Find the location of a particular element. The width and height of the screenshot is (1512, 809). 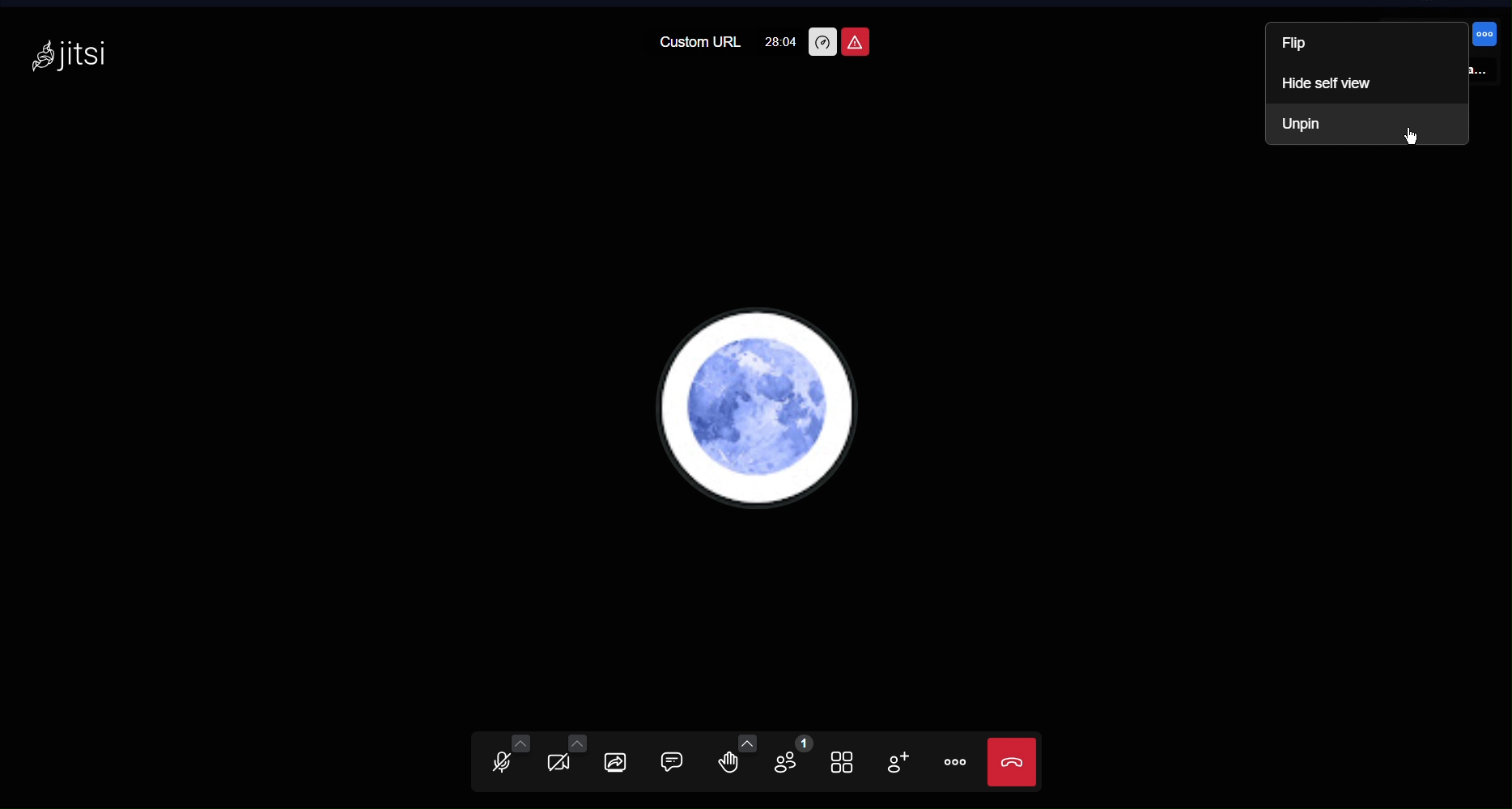

more options is located at coordinates (1487, 34).